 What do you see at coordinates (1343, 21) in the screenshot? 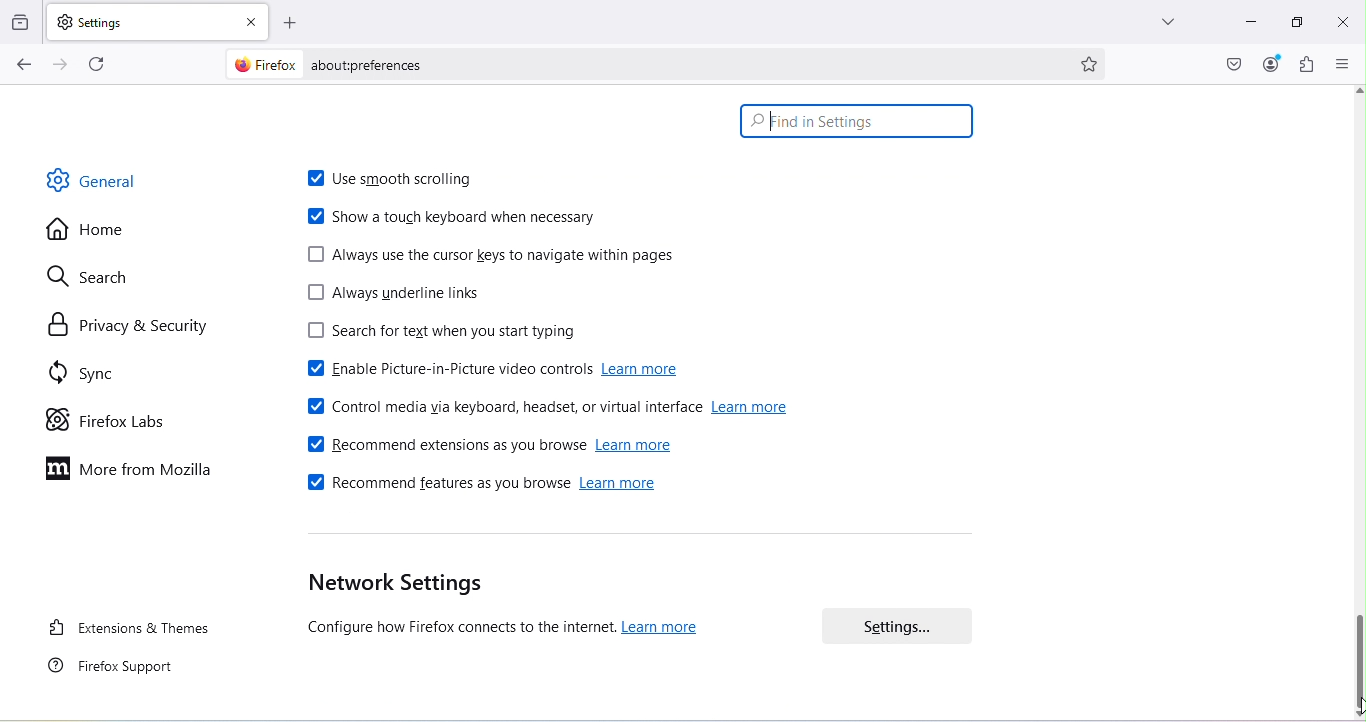
I see `Close` at bounding box center [1343, 21].